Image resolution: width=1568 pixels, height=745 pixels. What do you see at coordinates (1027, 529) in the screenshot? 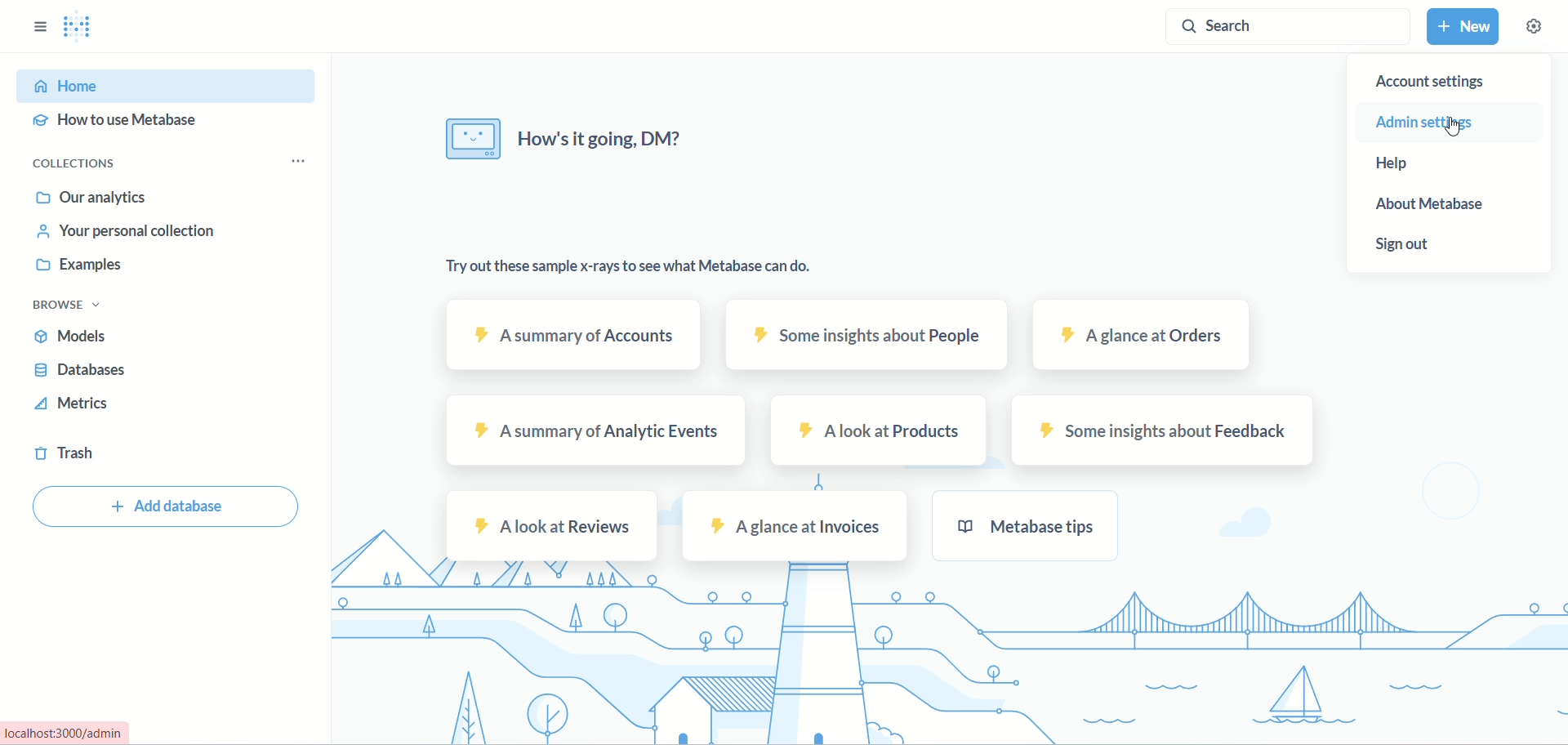
I see `metabase tips` at bounding box center [1027, 529].